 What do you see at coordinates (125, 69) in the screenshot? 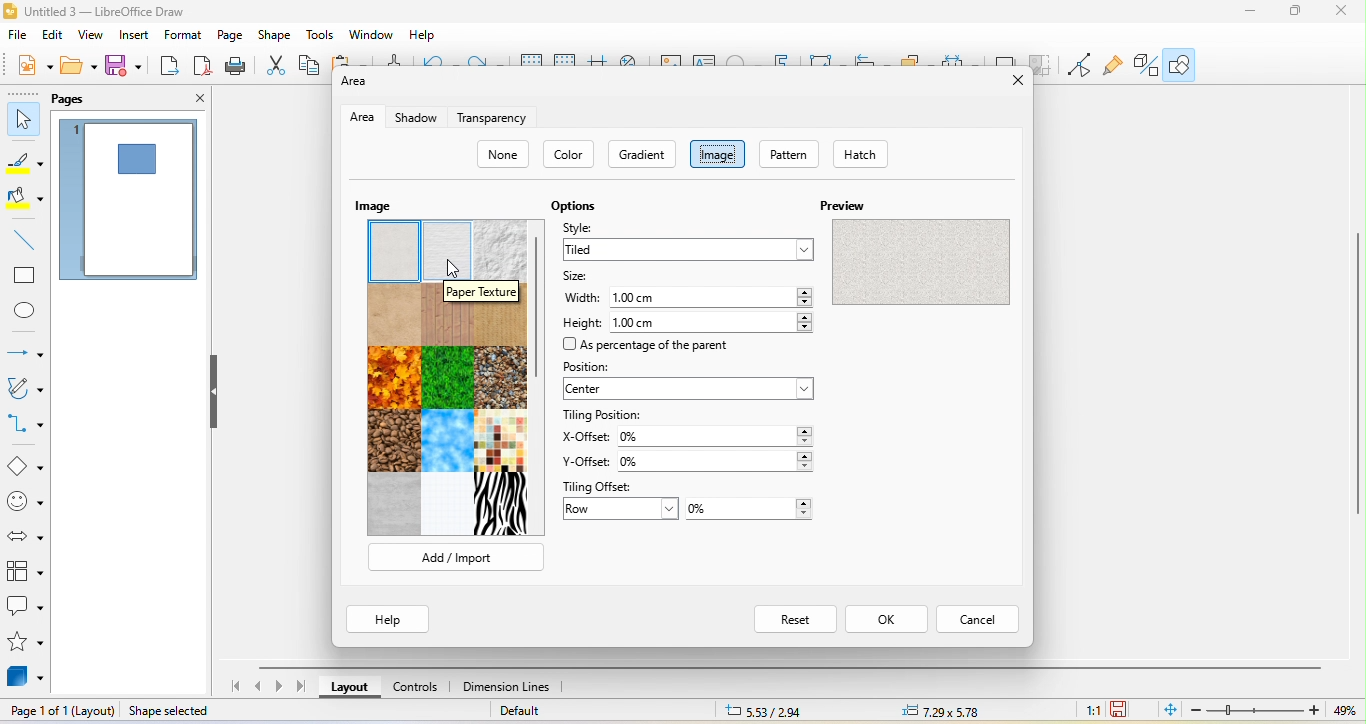
I see `save` at bounding box center [125, 69].